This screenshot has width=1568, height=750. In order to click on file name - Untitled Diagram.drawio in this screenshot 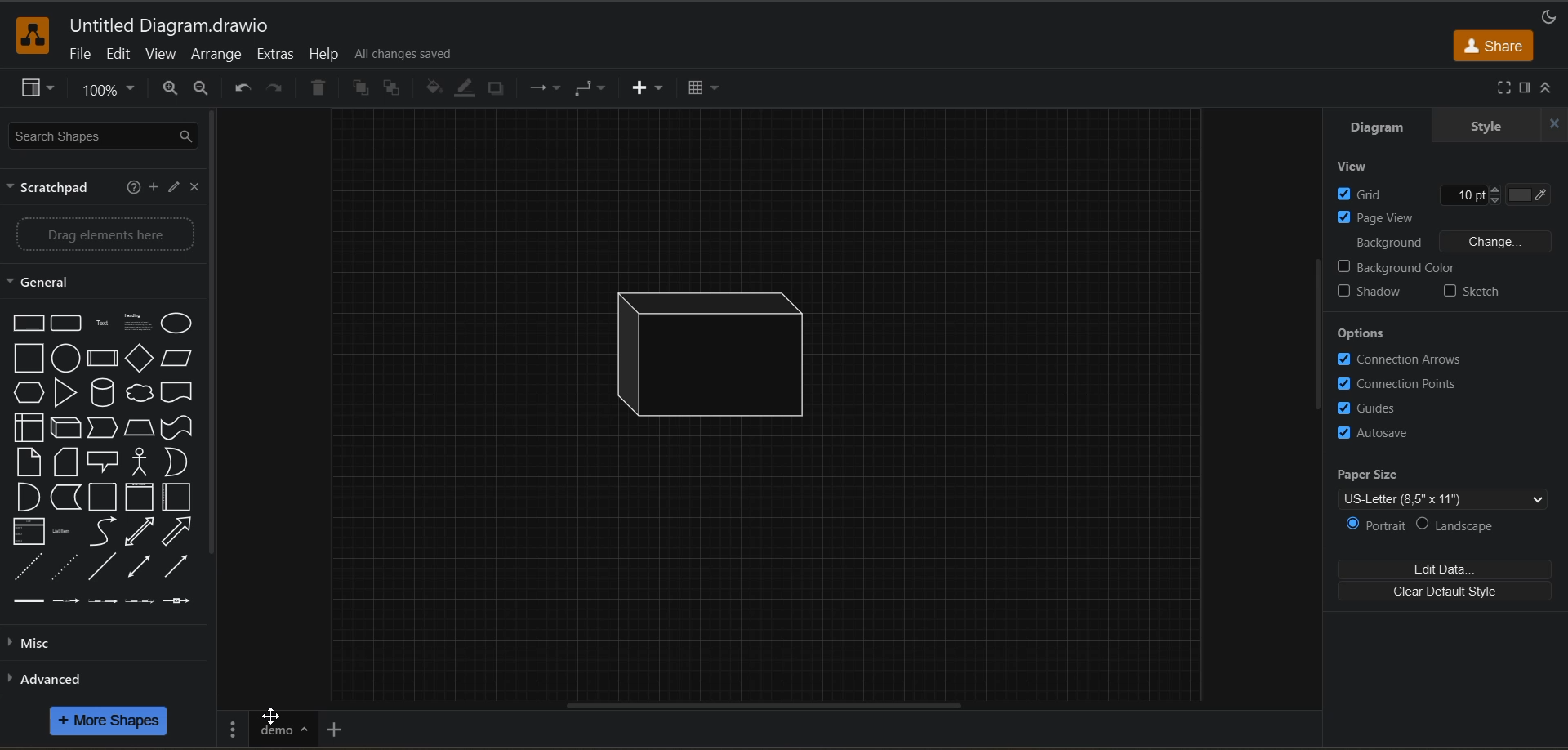, I will do `click(176, 26)`.